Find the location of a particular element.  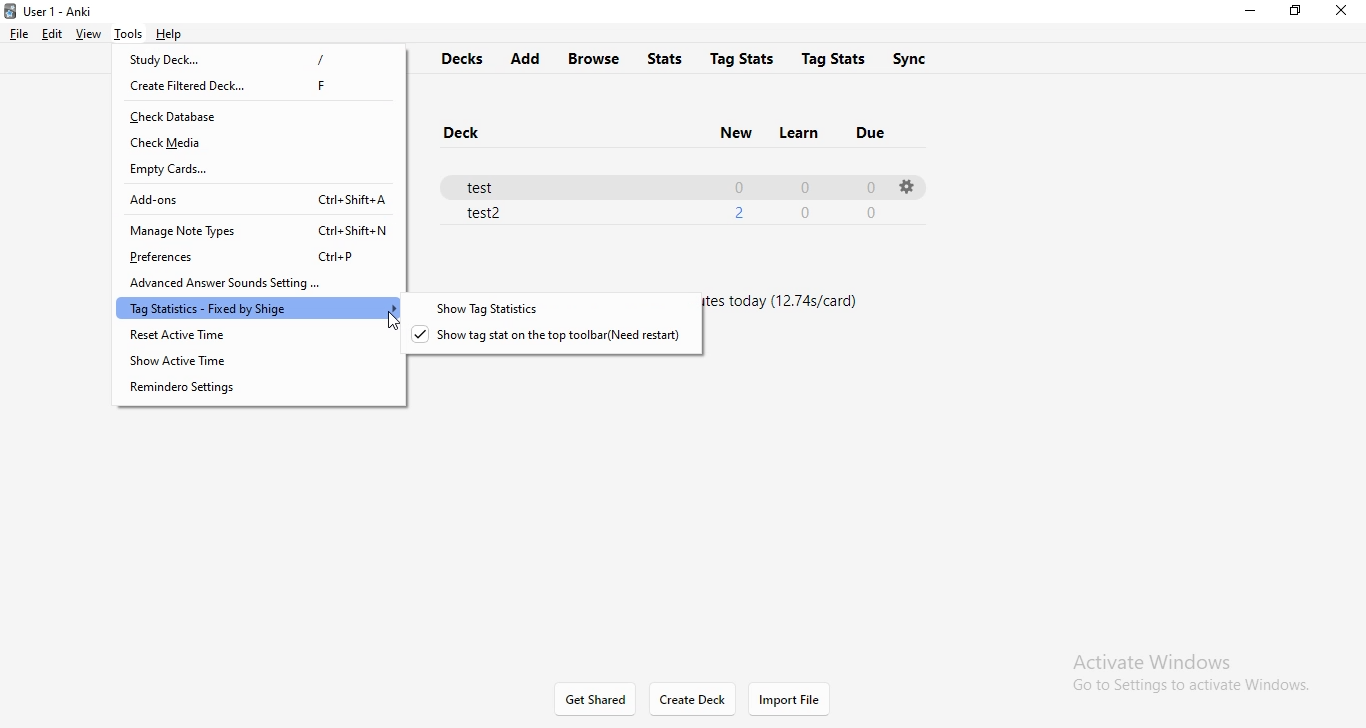

add ons is located at coordinates (259, 200).